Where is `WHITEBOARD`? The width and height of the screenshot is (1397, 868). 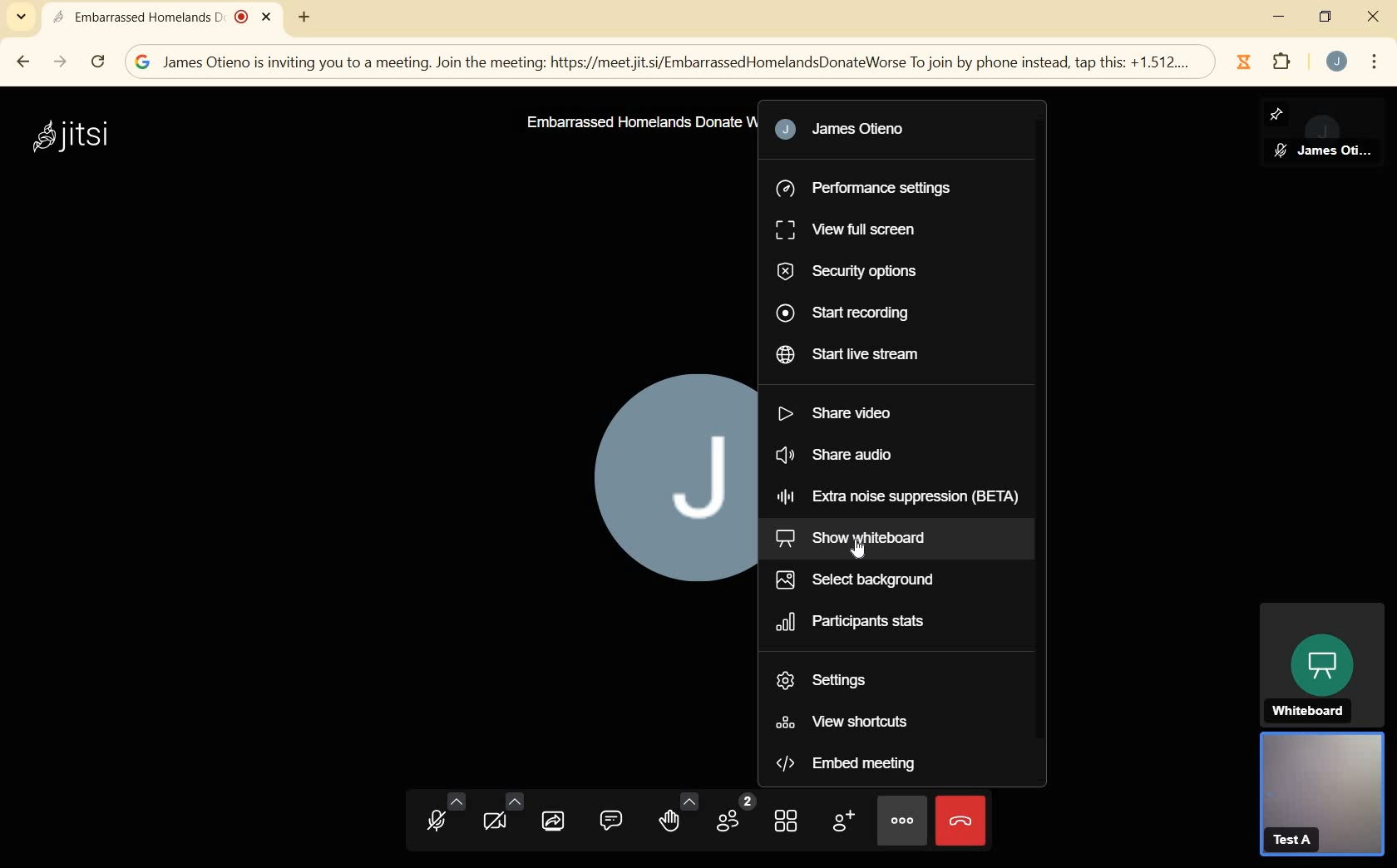
WHITEBOARD is located at coordinates (1321, 663).